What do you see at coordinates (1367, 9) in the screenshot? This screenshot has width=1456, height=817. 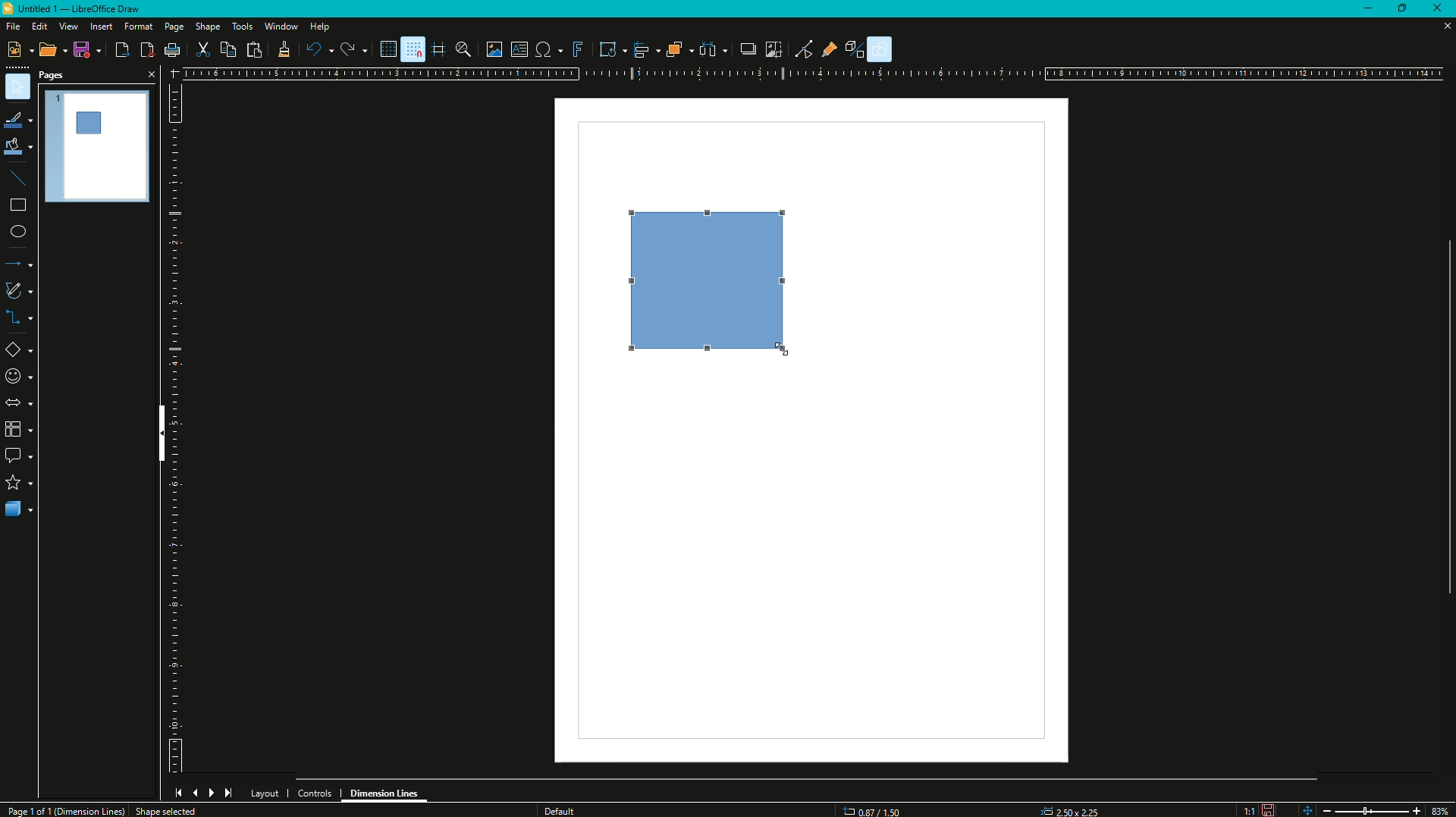 I see `Minimize` at bounding box center [1367, 9].